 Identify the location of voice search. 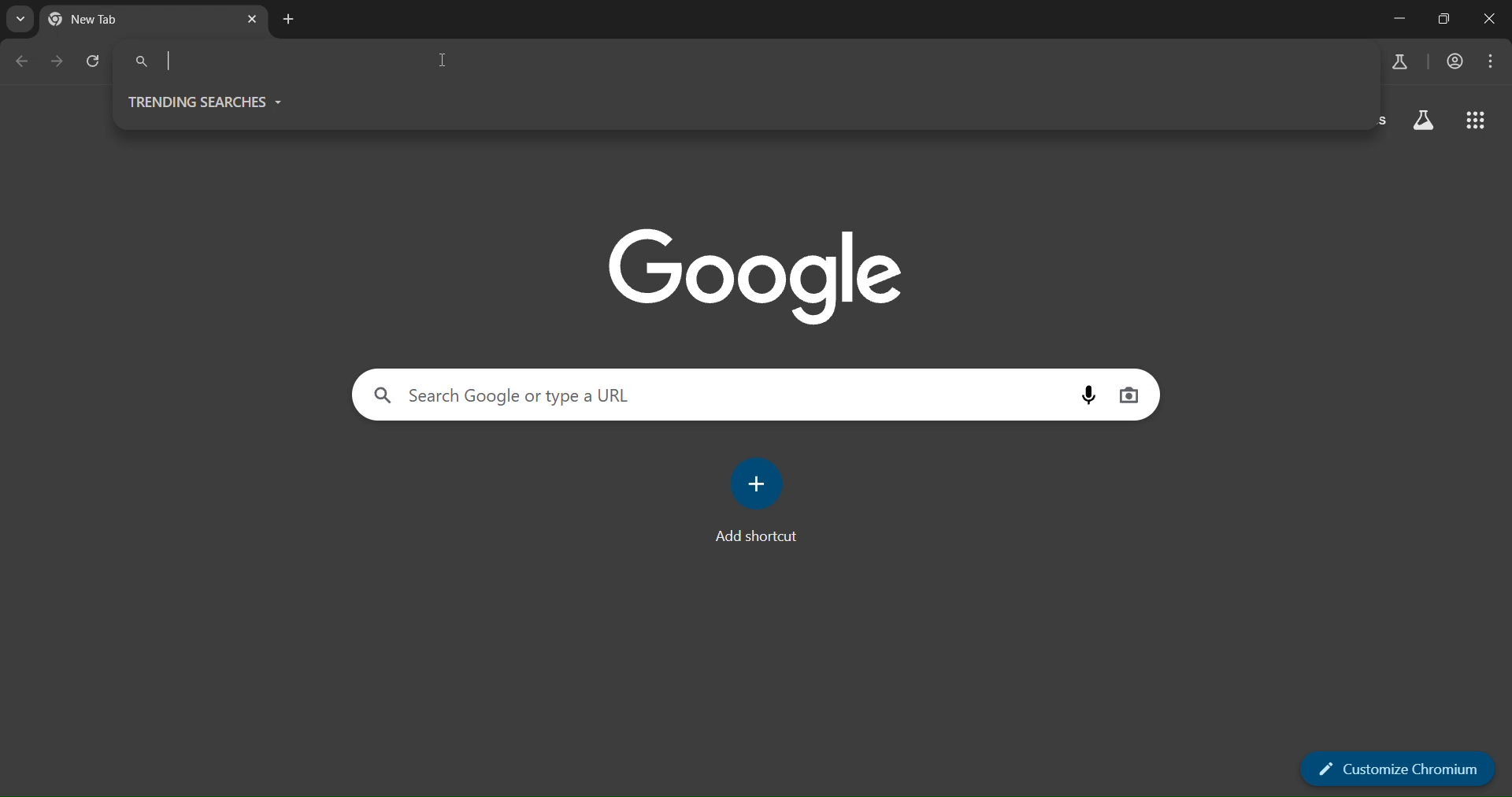
(1088, 395).